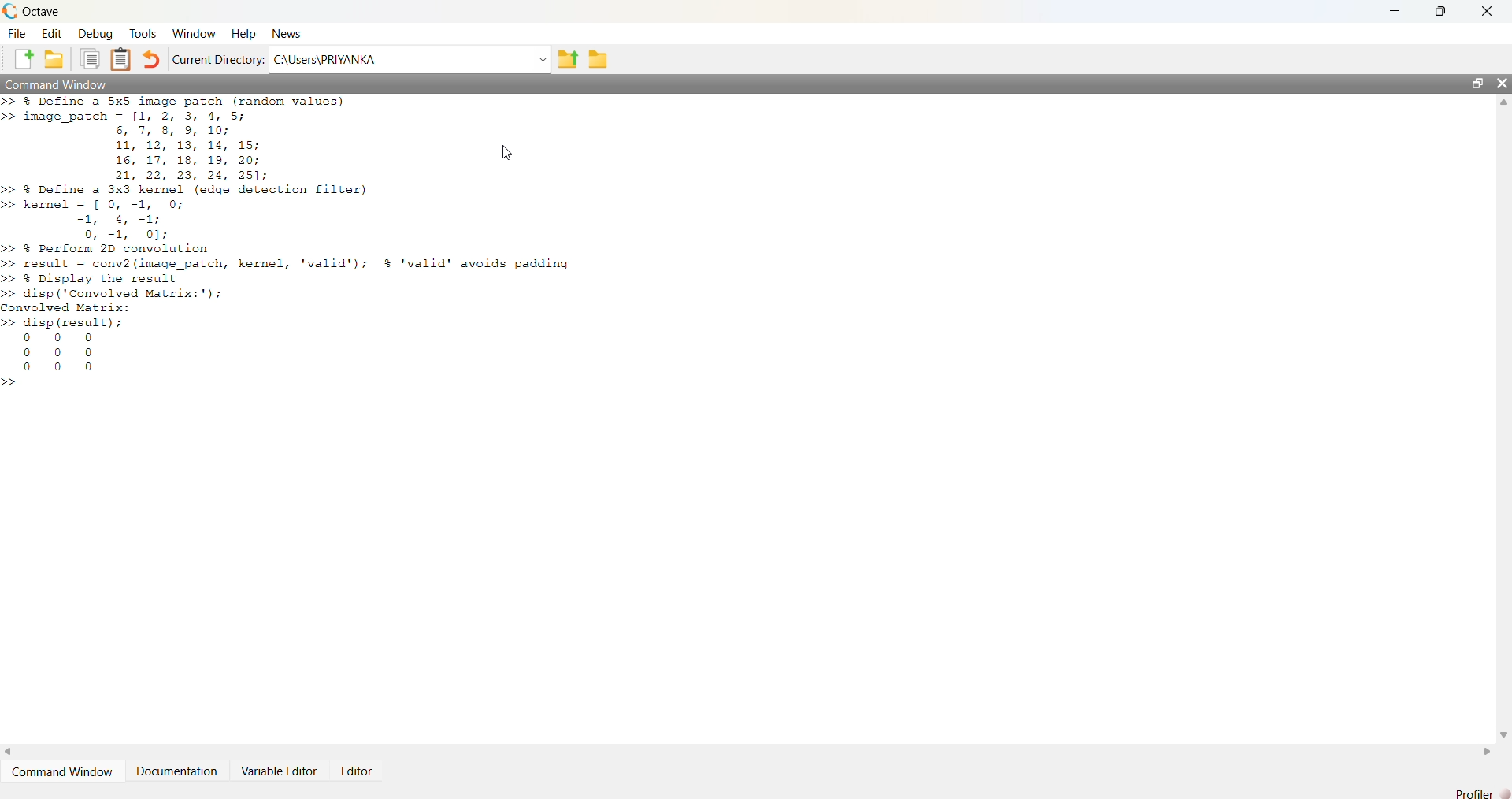 The height and width of the screenshot is (799, 1512). Describe the element at coordinates (280, 771) in the screenshot. I see `Variable Editor` at that location.